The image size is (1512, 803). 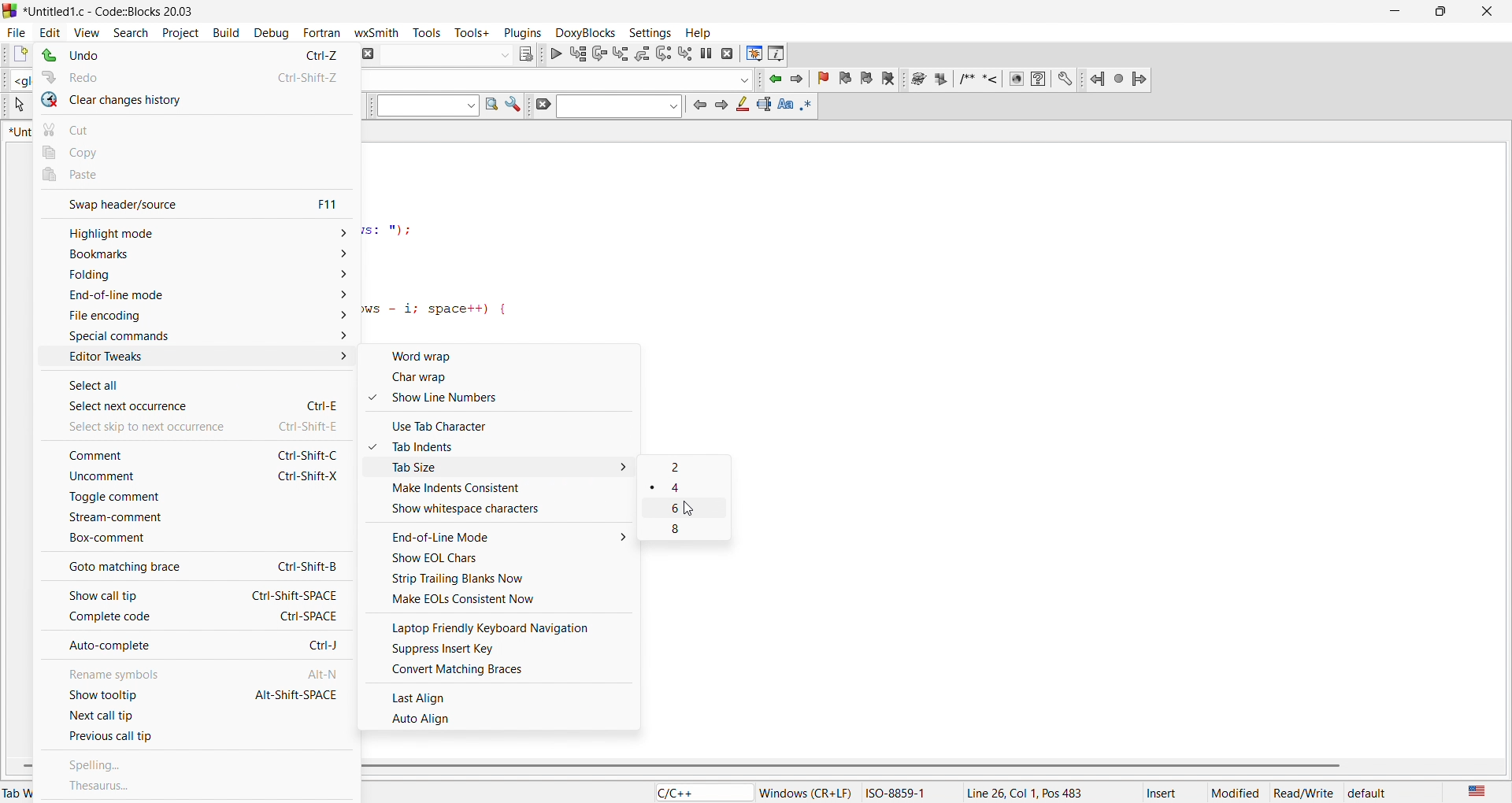 I want to click on thesaurus , so click(x=196, y=787).